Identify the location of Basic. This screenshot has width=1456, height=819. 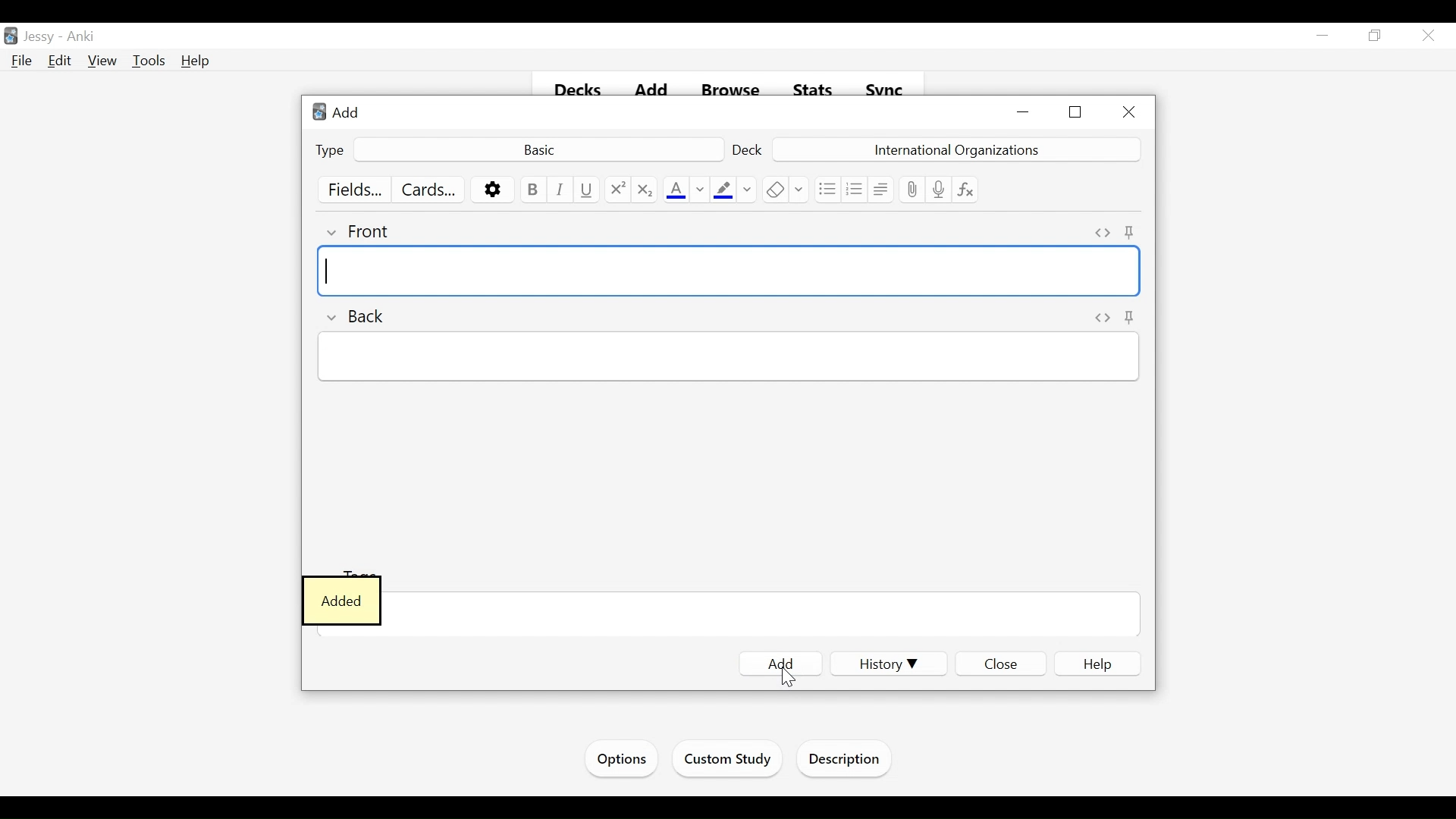
(540, 149).